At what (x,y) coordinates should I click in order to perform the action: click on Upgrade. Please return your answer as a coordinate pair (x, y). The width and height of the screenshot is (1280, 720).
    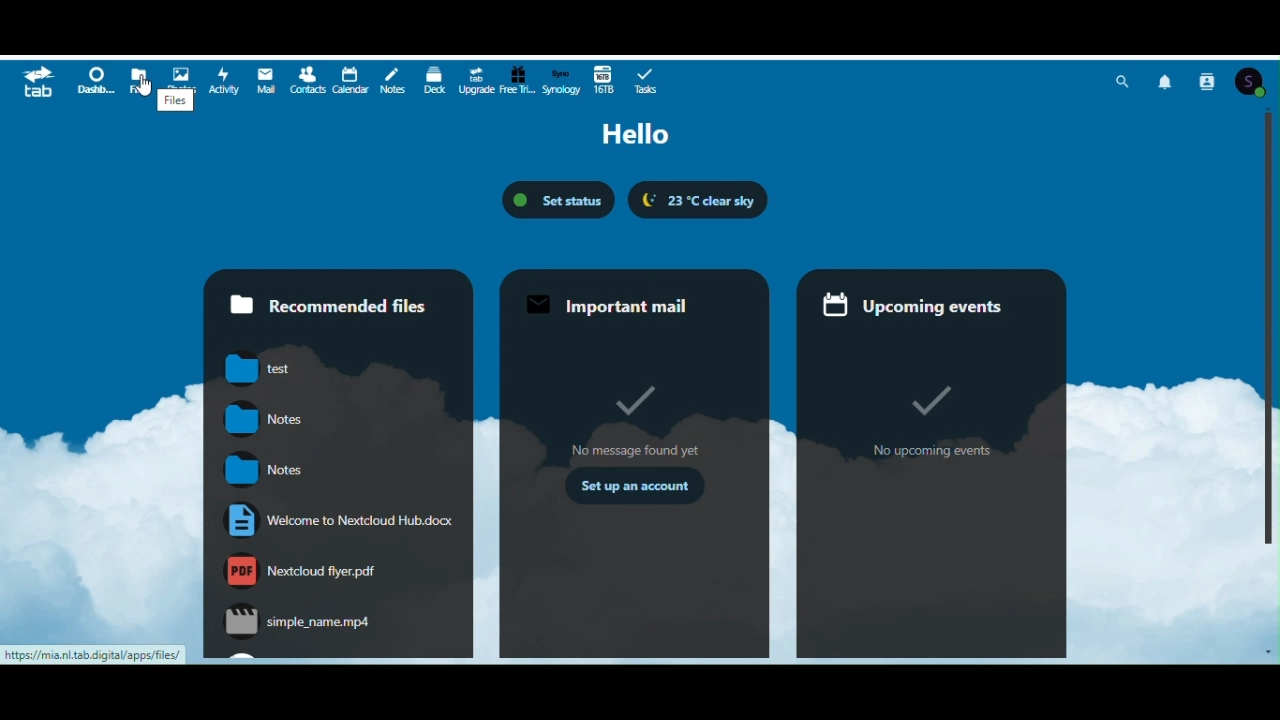
    Looking at the image, I should click on (474, 79).